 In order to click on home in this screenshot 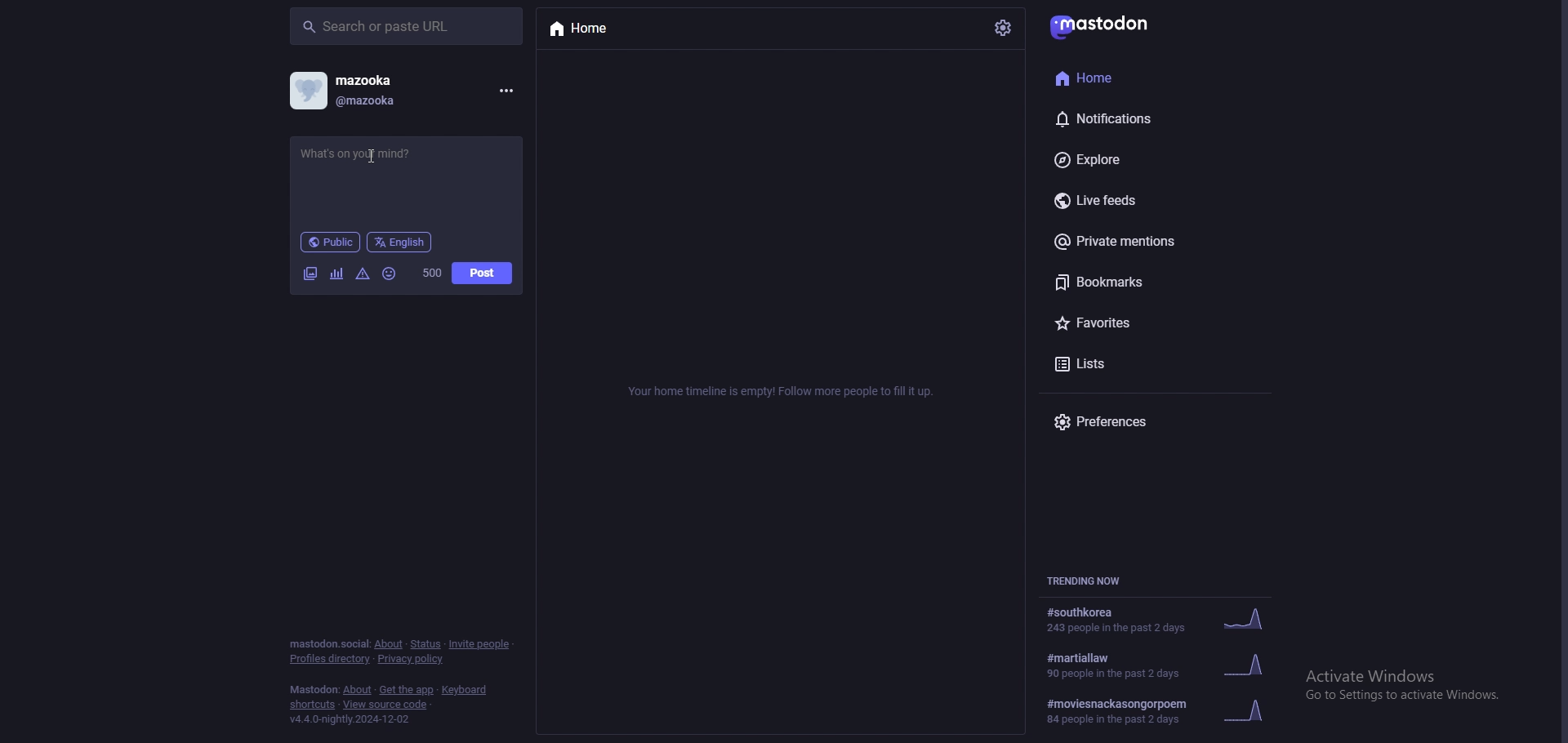, I will do `click(586, 30)`.